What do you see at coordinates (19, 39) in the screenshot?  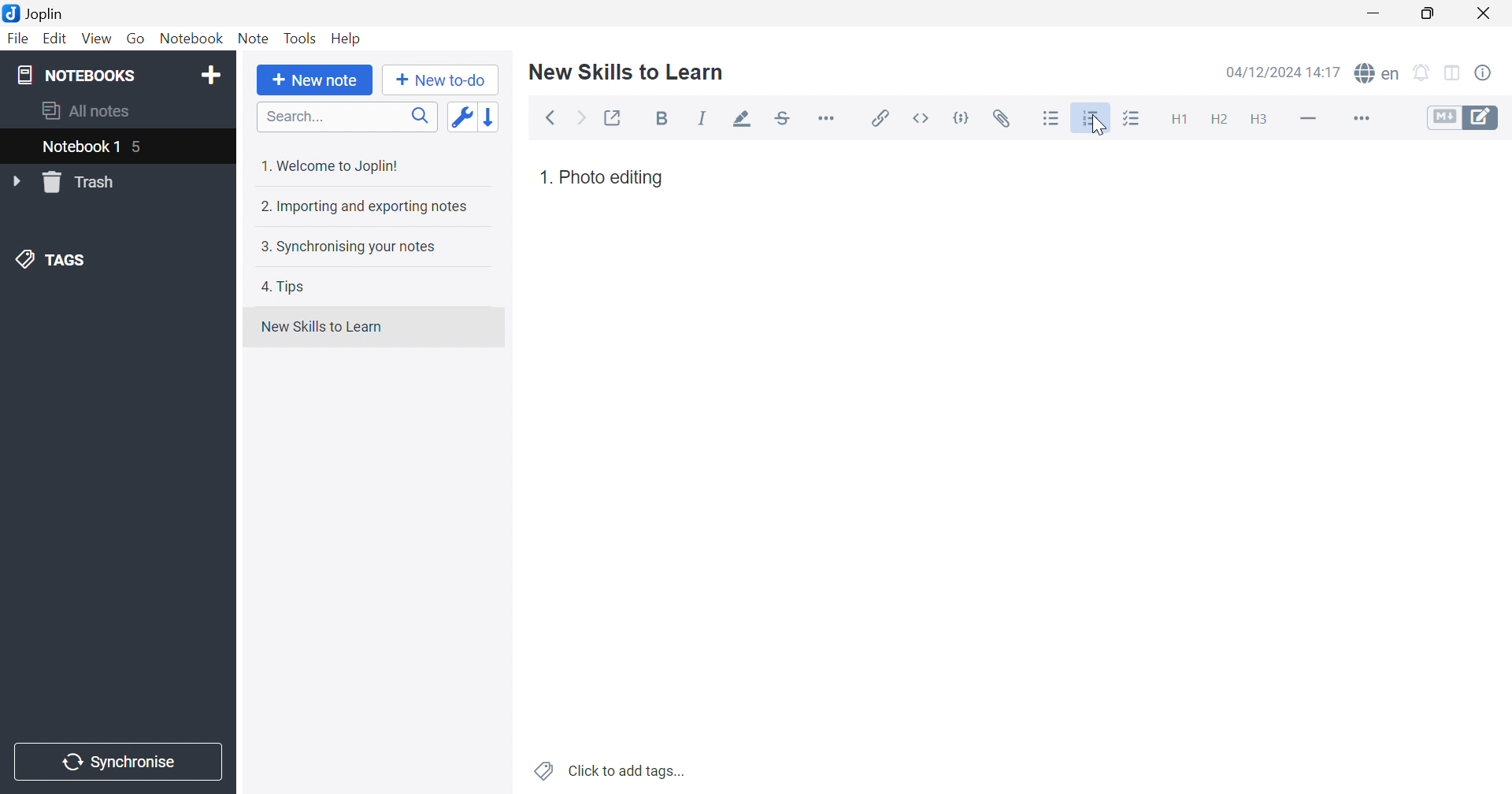 I see `File` at bounding box center [19, 39].